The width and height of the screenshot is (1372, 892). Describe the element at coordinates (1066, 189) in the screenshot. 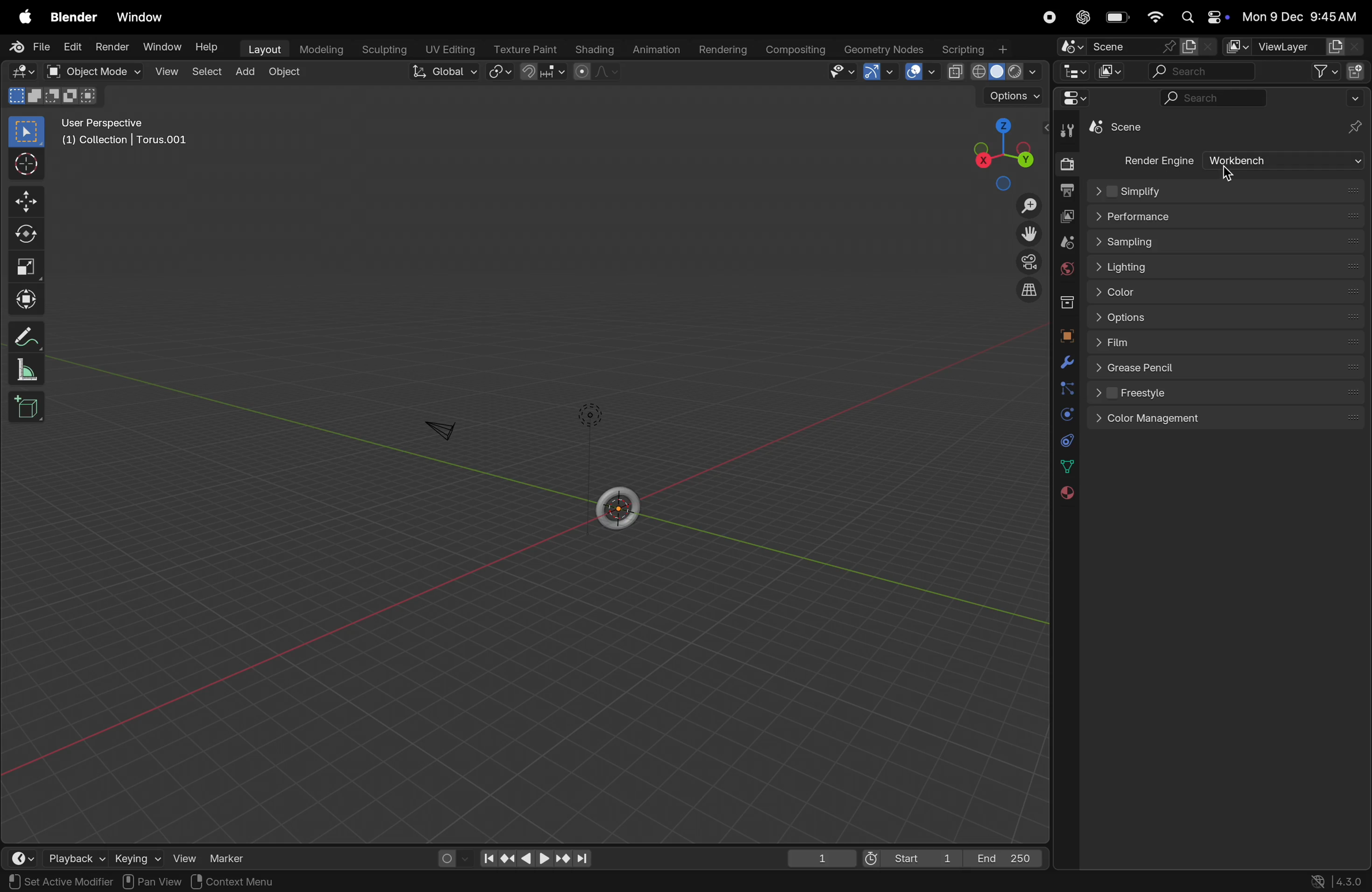

I see `output` at that location.